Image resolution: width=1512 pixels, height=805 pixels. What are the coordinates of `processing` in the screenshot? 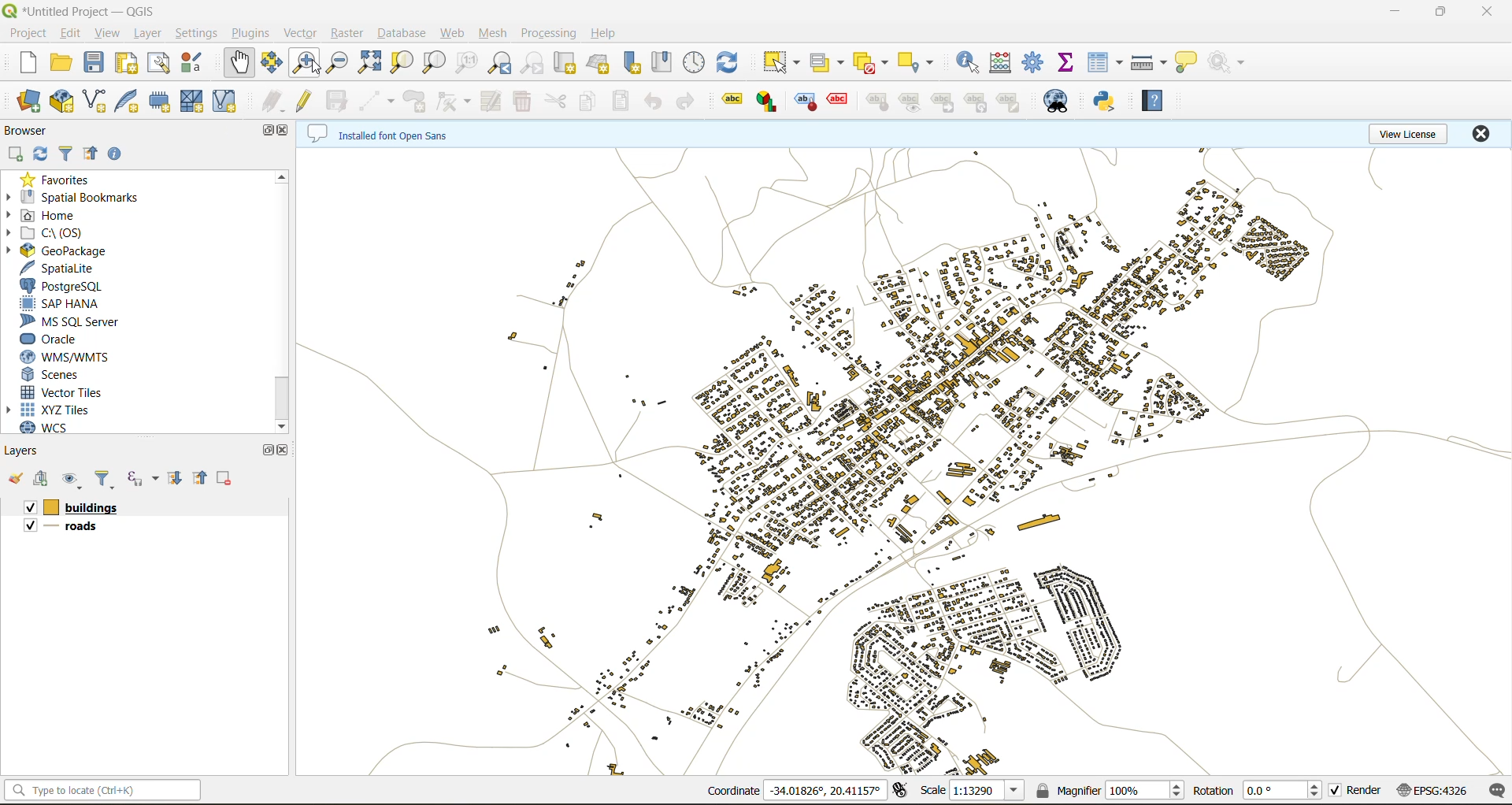 It's located at (551, 33).